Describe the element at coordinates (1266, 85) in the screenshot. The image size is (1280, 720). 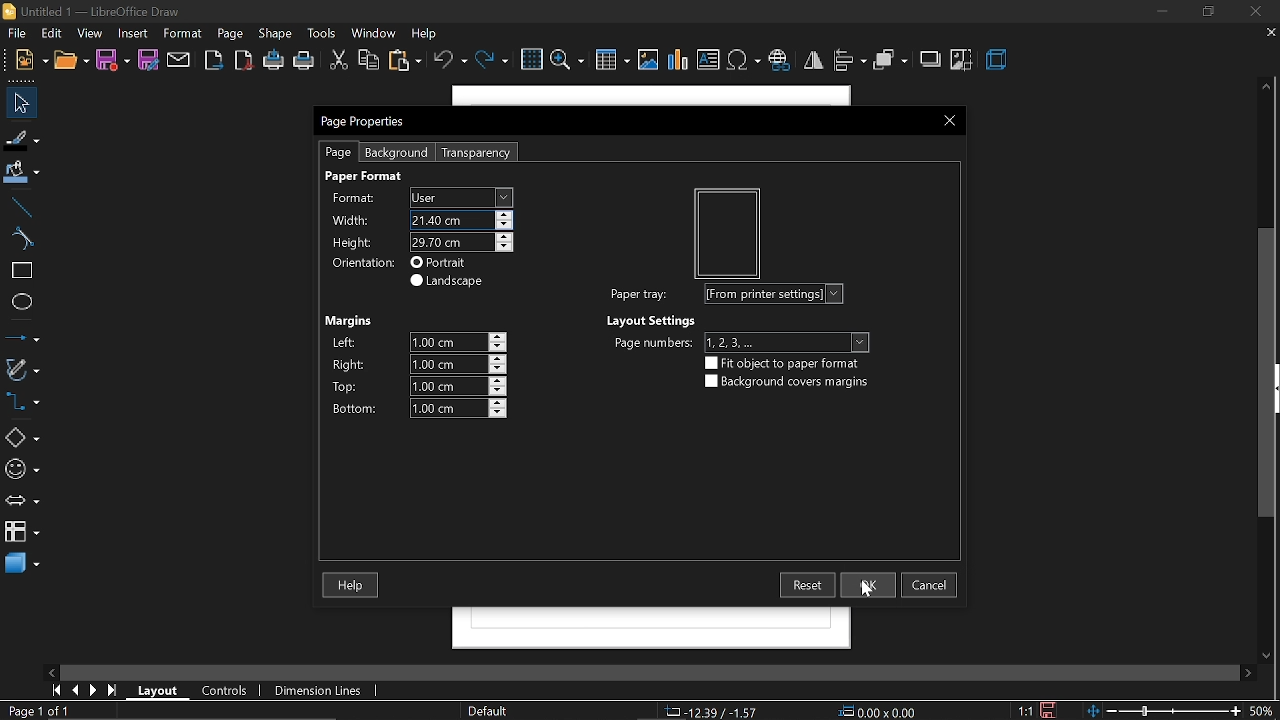
I see `move up` at that location.